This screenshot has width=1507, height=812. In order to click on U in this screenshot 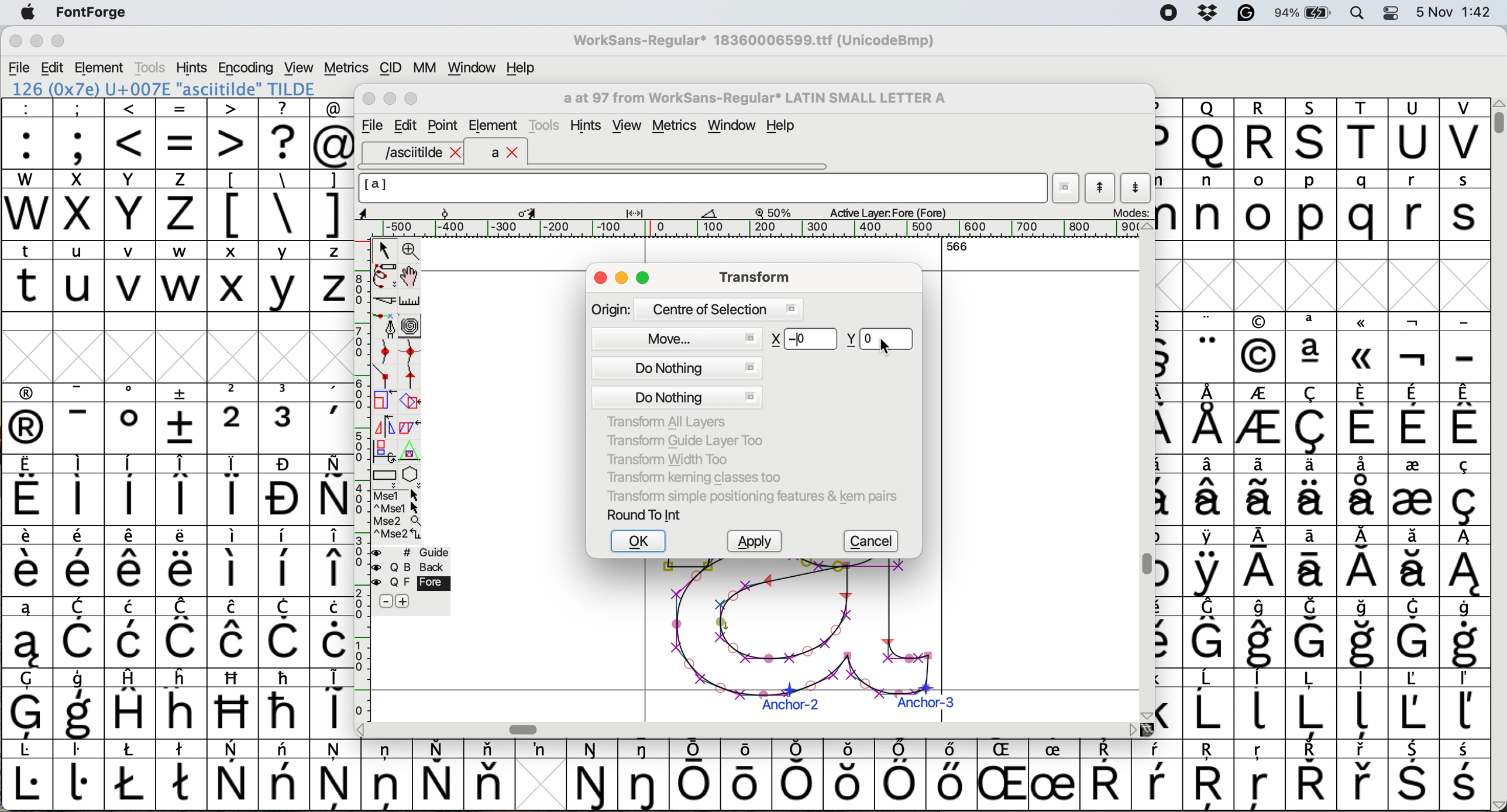, I will do `click(1413, 134)`.